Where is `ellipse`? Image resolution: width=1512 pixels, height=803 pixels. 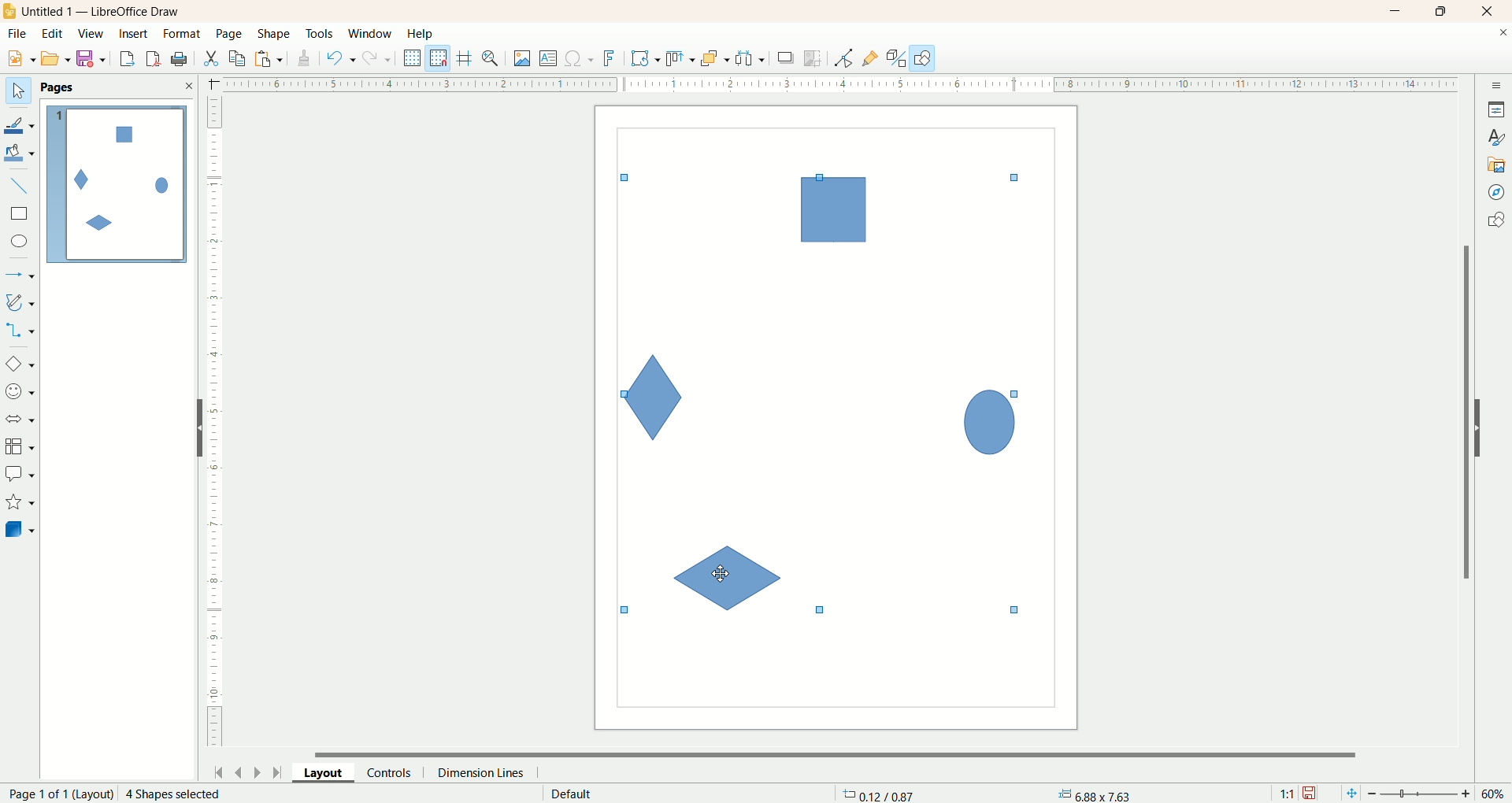
ellipse is located at coordinates (21, 243).